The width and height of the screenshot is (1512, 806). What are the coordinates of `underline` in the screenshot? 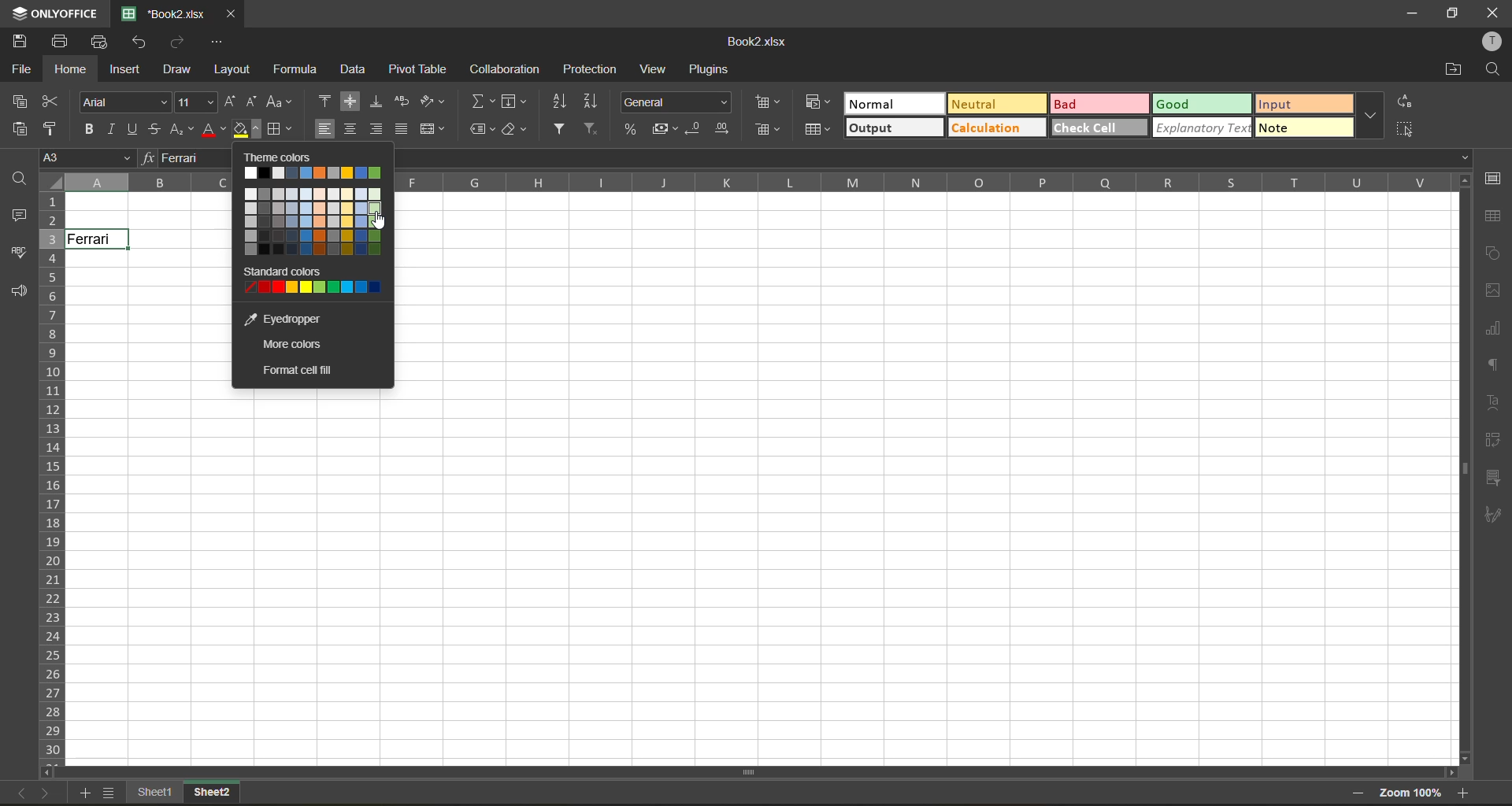 It's located at (137, 128).